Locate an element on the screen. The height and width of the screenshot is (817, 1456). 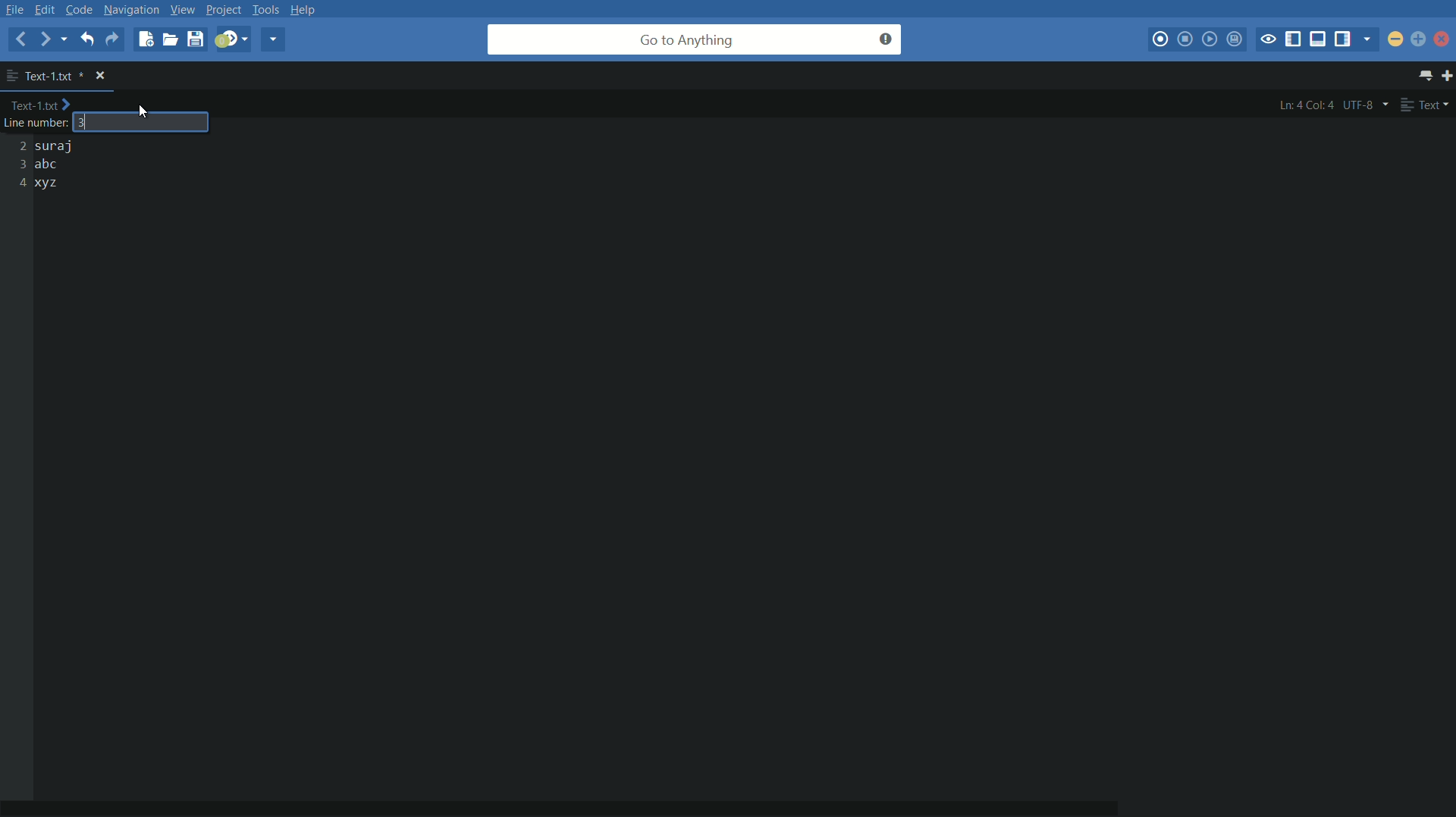
play last macro is located at coordinates (1210, 39).